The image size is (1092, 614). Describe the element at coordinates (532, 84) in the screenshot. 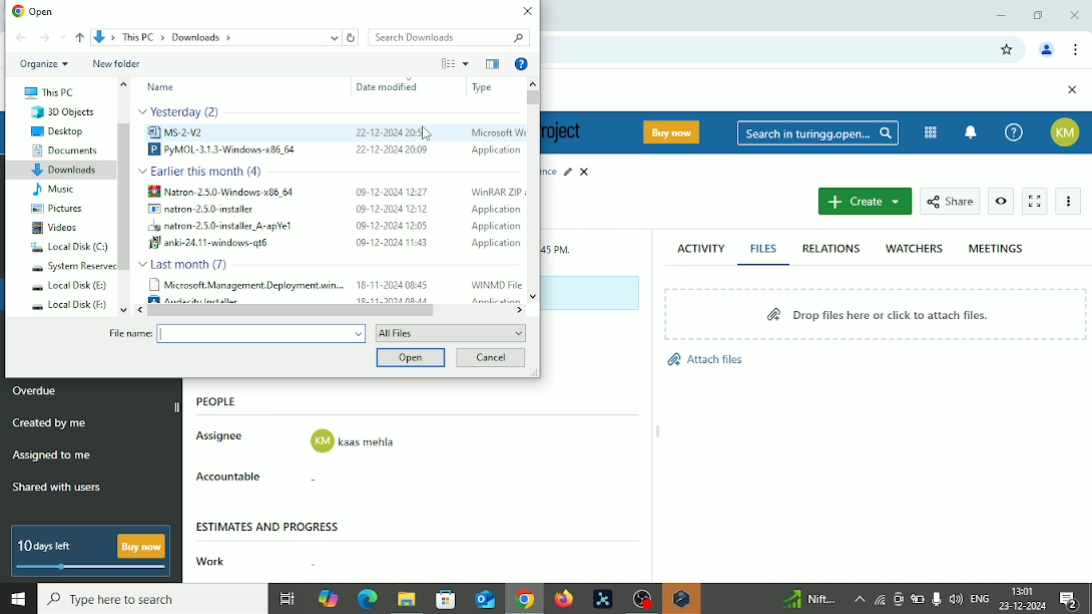

I see `move up in files` at that location.